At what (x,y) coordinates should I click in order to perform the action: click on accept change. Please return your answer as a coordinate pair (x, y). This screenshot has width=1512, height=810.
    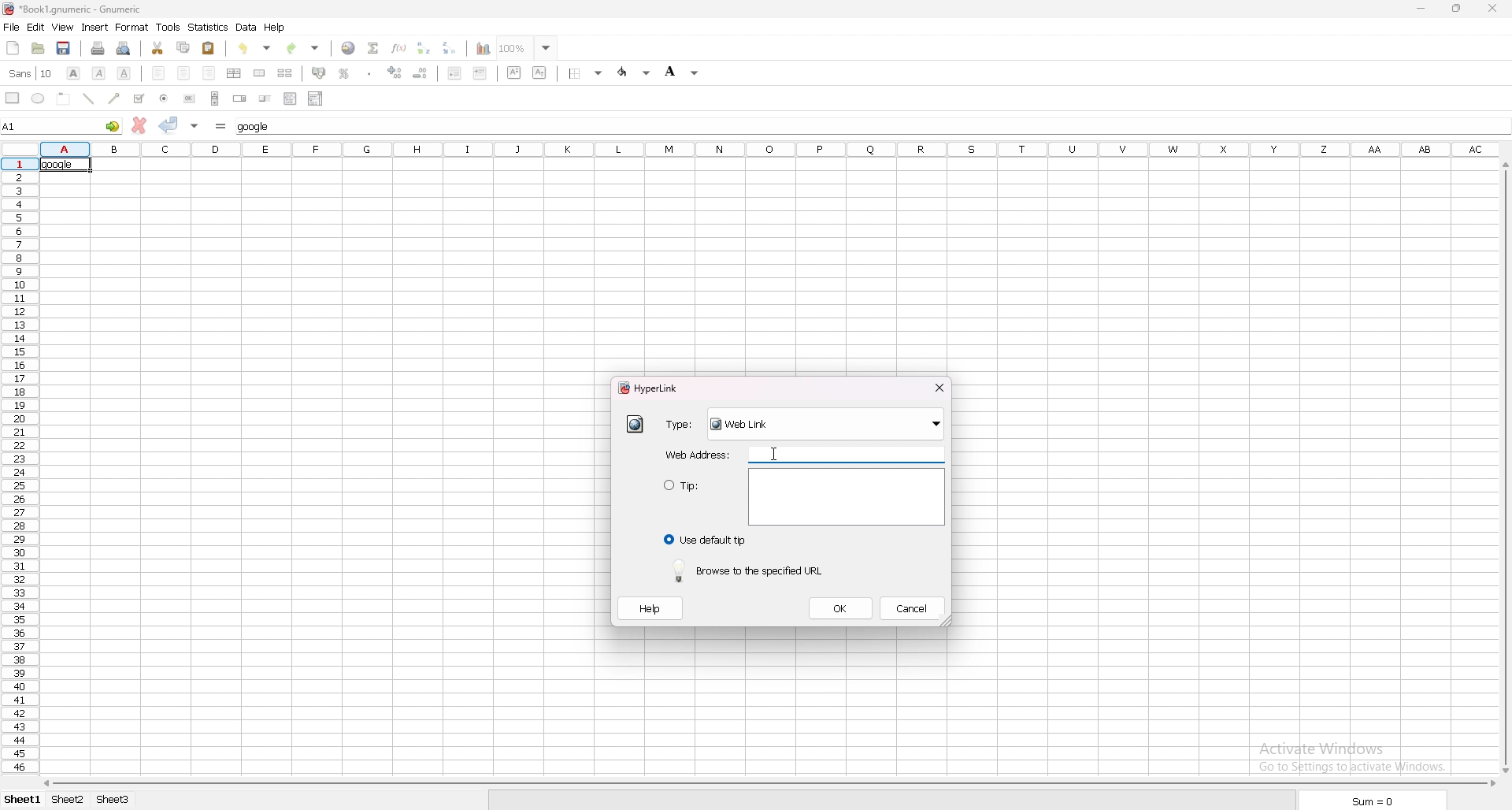
    Looking at the image, I should click on (169, 124).